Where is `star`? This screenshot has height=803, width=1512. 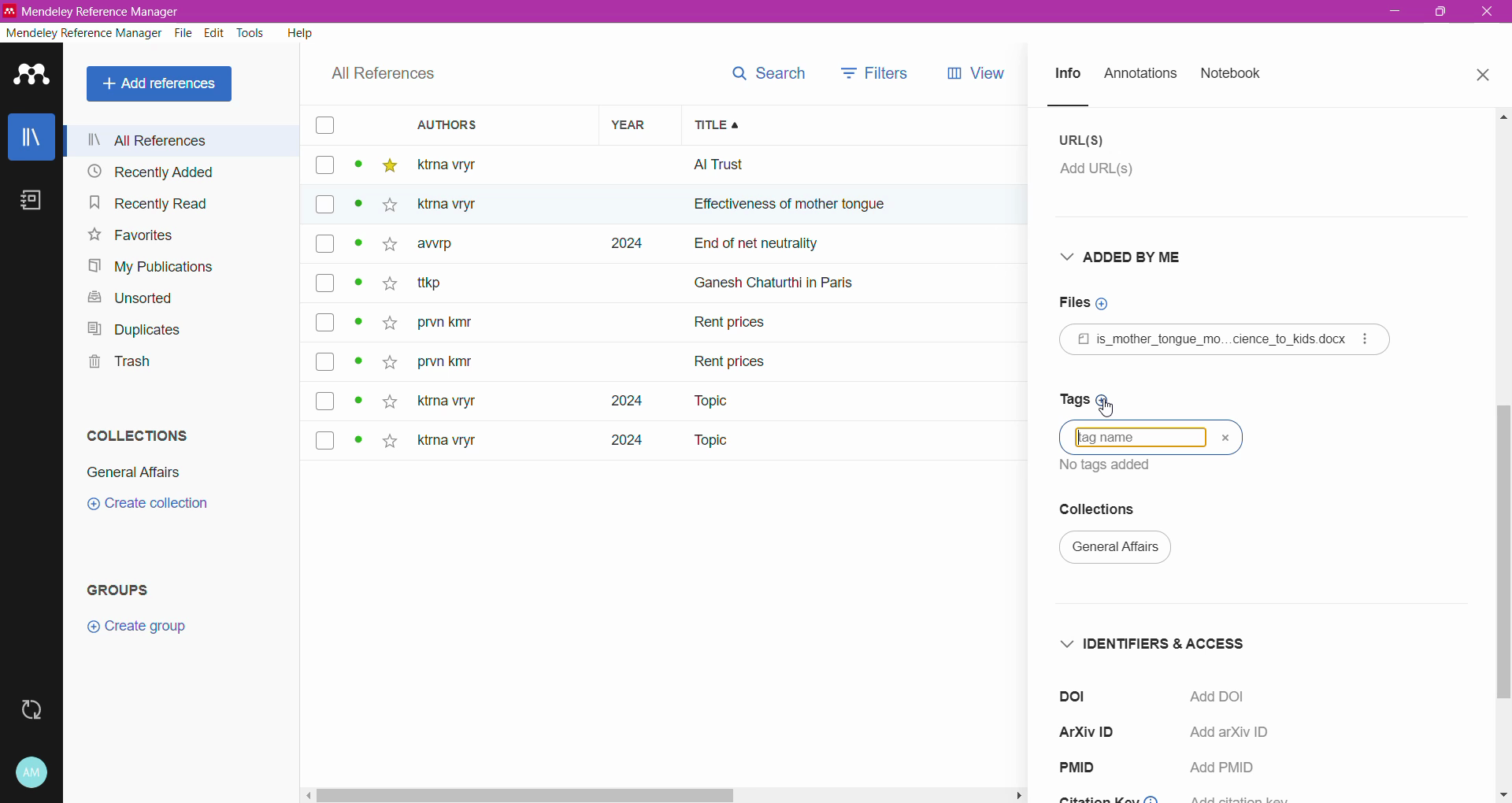 star is located at coordinates (389, 443).